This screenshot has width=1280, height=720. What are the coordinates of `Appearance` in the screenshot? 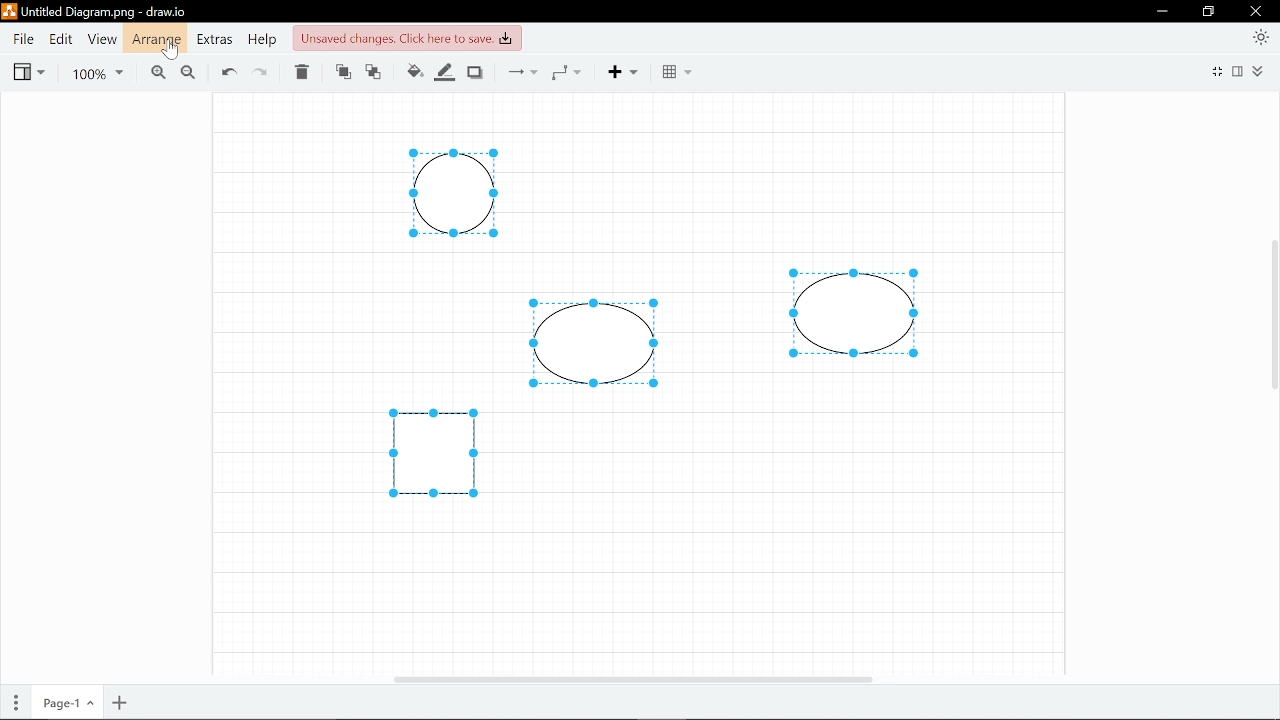 It's located at (1262, 36).